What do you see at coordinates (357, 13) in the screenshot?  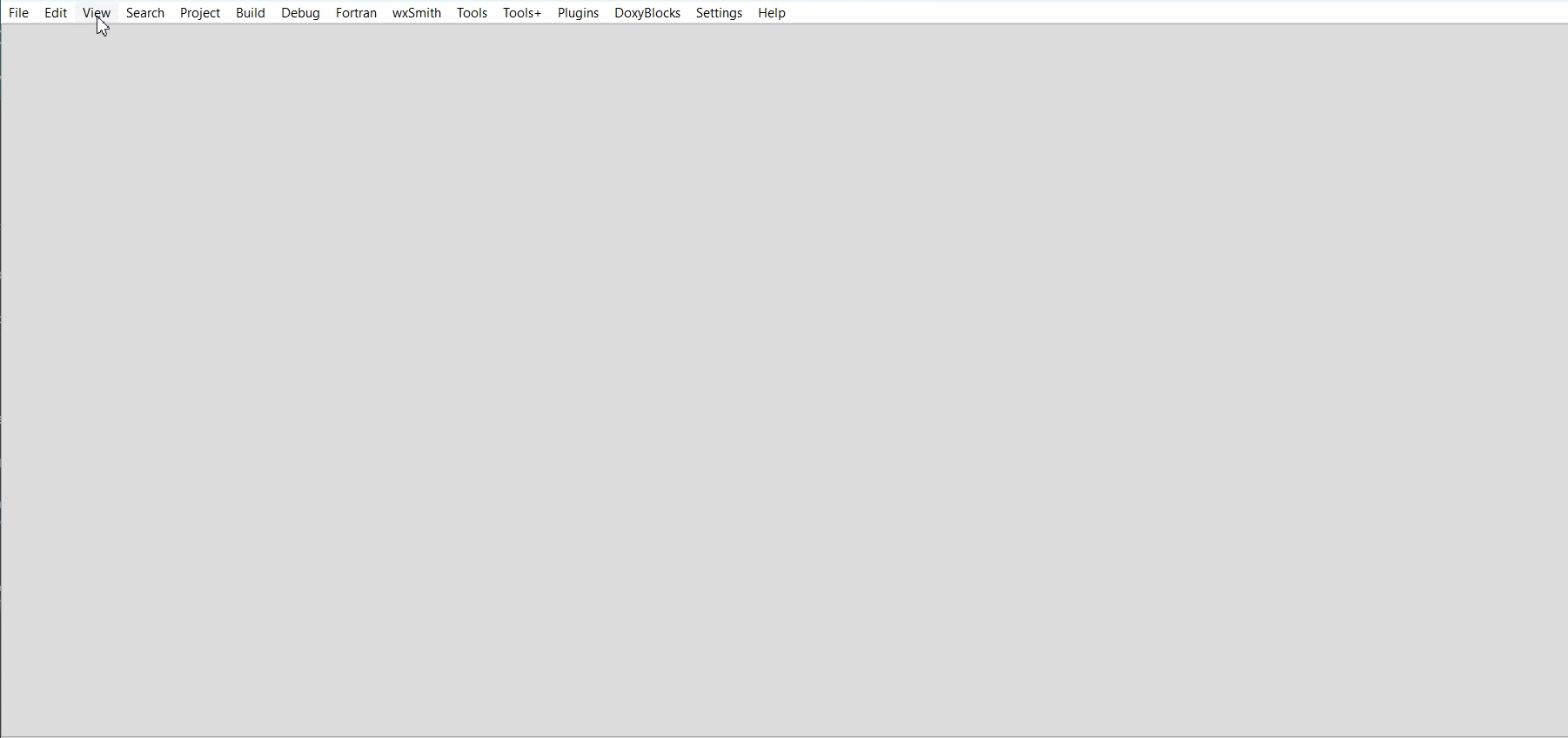 I see `Fortran` at bounding box center [357, 13].